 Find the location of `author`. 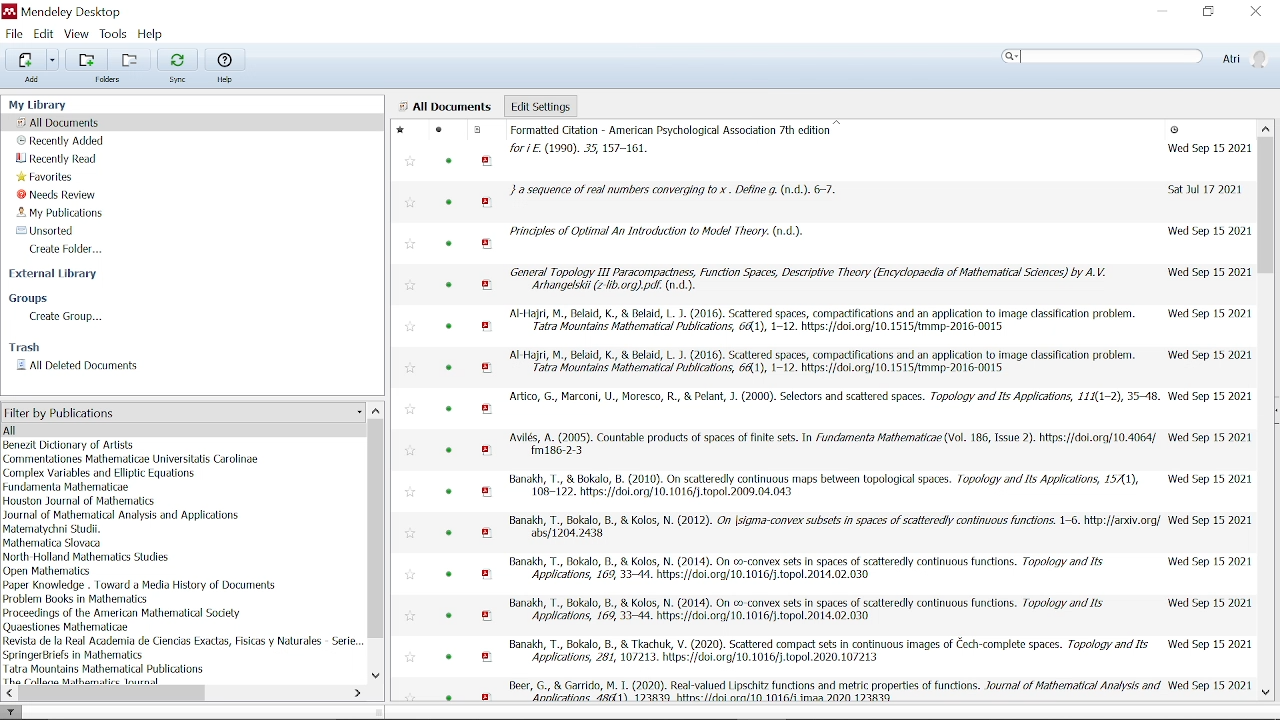

author is located at coordinates (87, 556).